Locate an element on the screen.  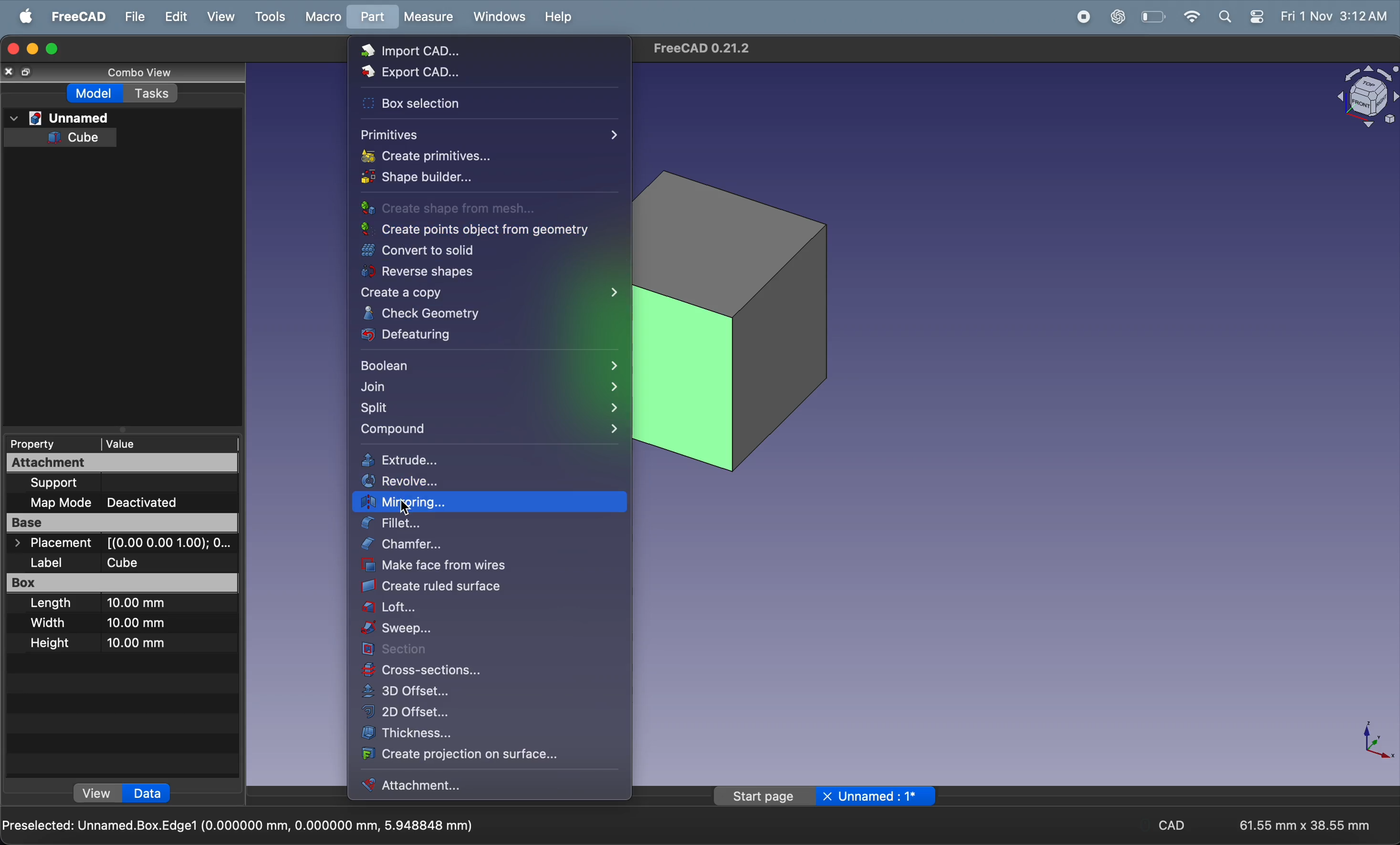
box section is located at coordinates (479, 103).